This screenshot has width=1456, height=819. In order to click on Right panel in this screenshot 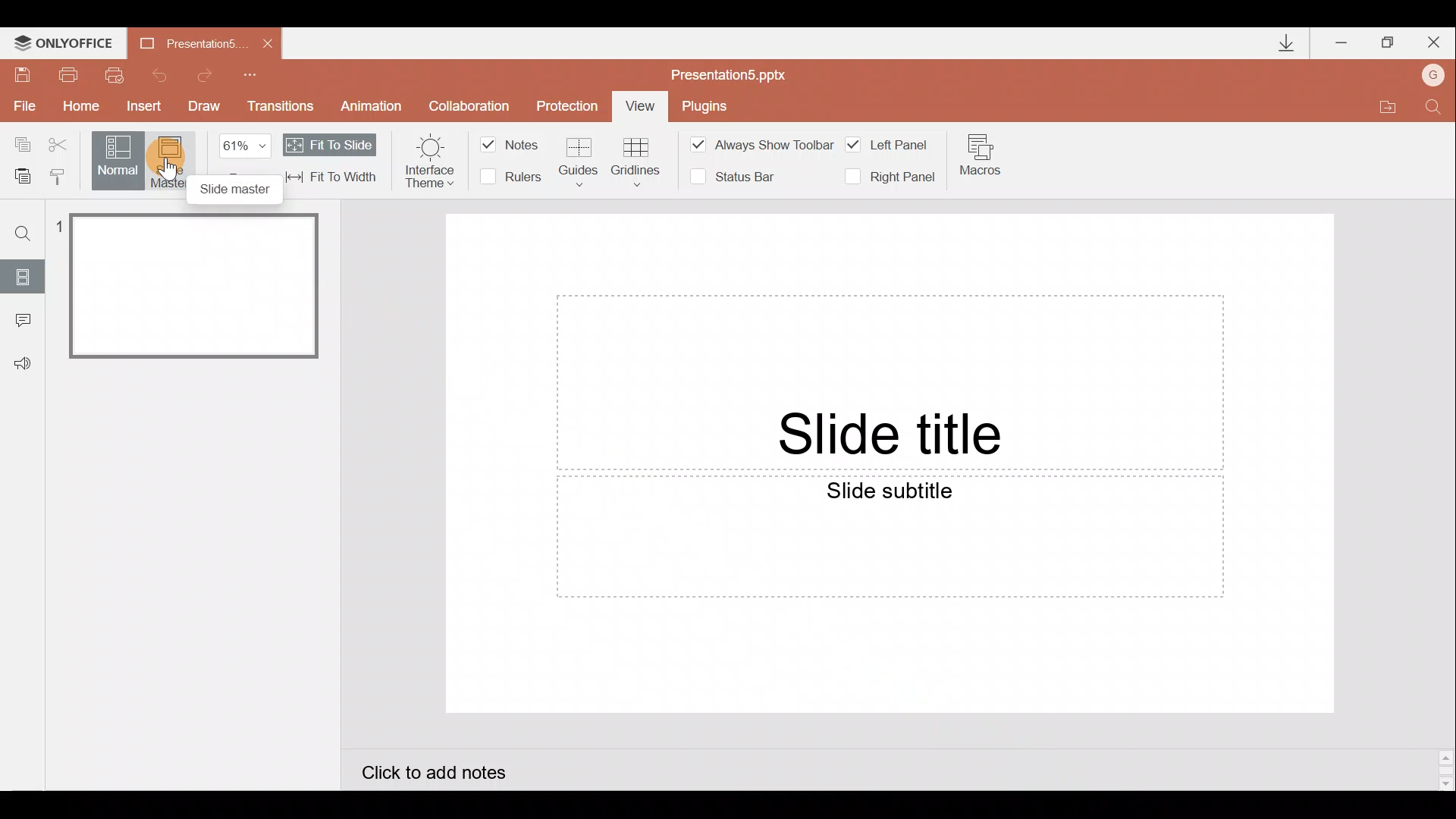, I will do `click(895, 174)`.